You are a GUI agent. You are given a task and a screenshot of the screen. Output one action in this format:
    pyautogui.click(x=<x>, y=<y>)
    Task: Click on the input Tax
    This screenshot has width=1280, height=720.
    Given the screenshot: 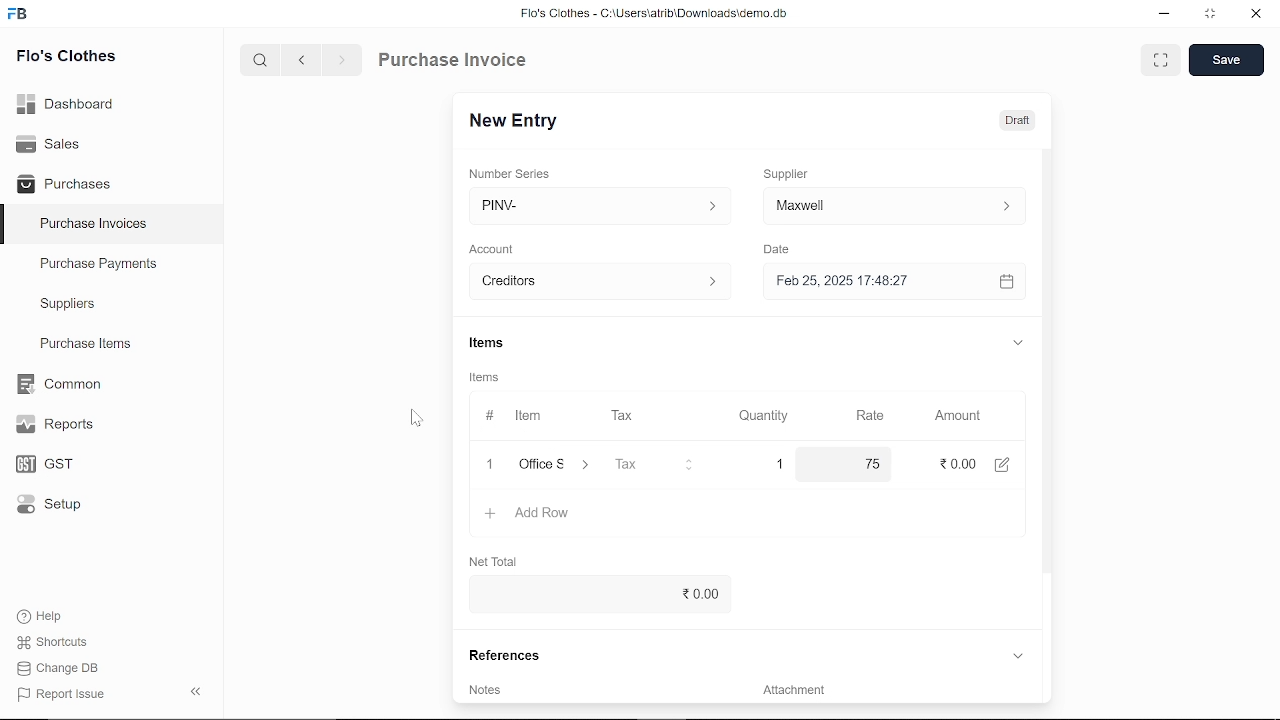 What is the action you would take?
    pyautogui.click(x=654, y=464)
    